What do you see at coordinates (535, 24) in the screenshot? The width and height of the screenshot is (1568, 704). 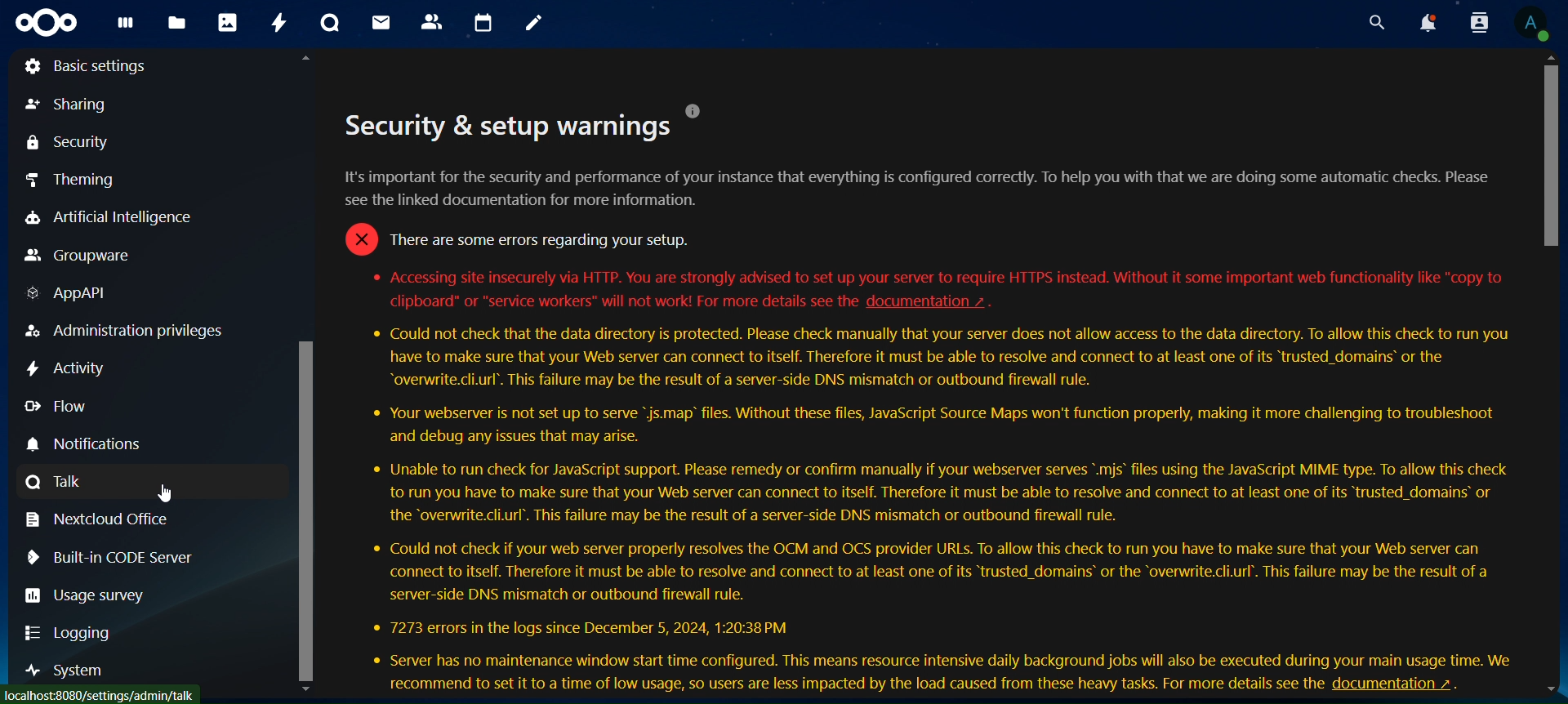 I see `notes` at bounding box center [535, 24].